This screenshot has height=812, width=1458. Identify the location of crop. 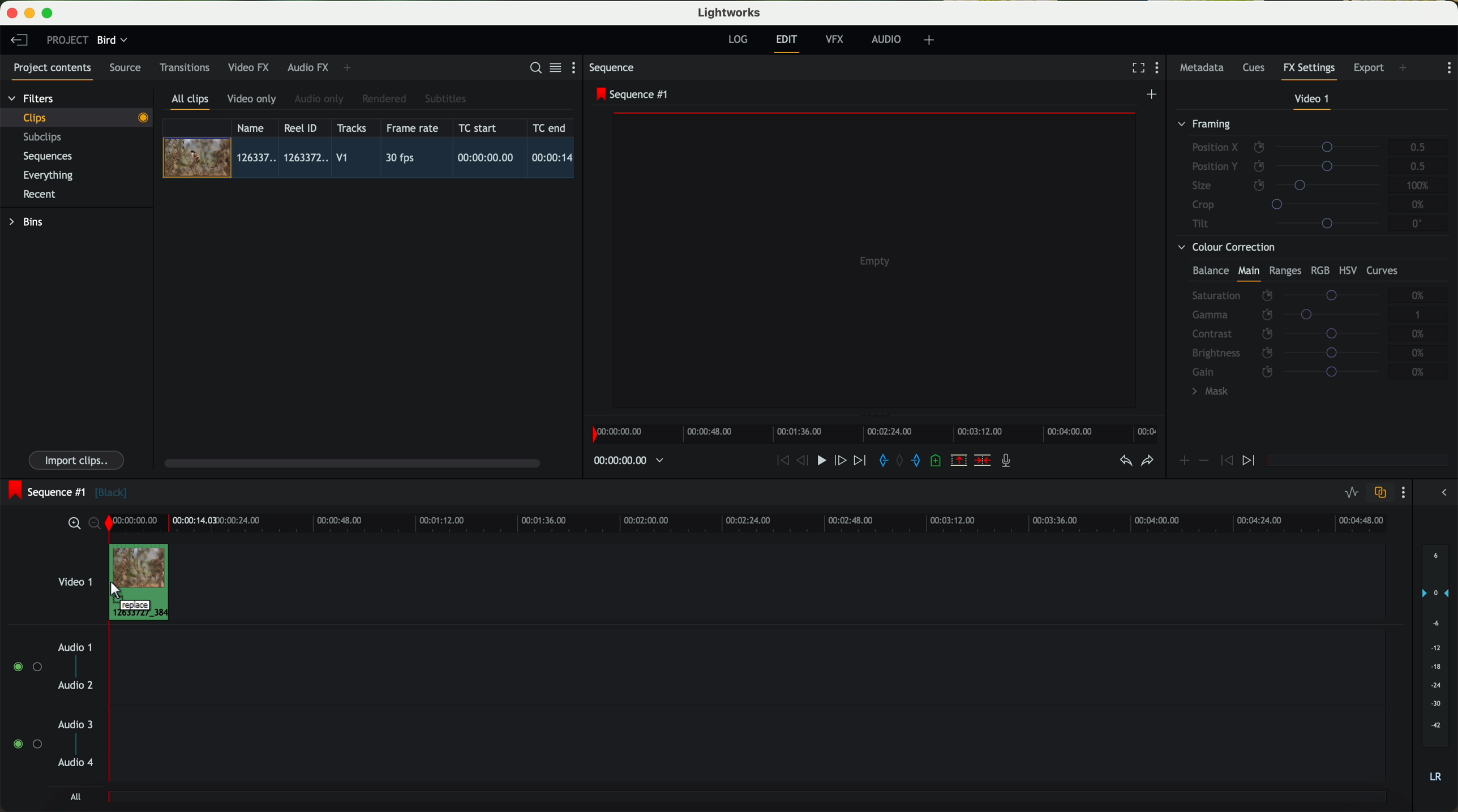
(1290, 204).